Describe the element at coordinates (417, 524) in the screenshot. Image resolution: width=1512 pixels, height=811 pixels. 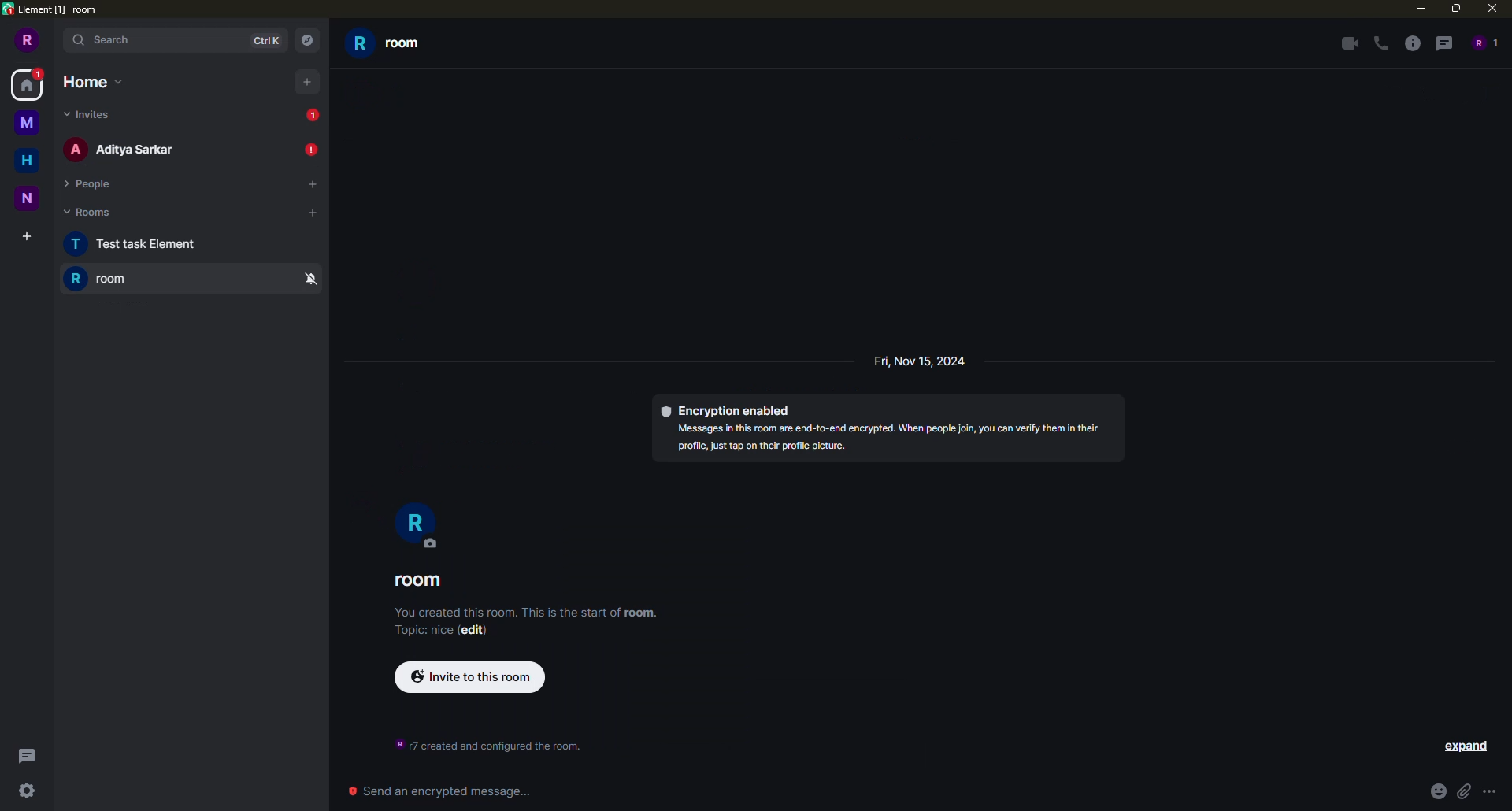
I see `profile pic` at that location.